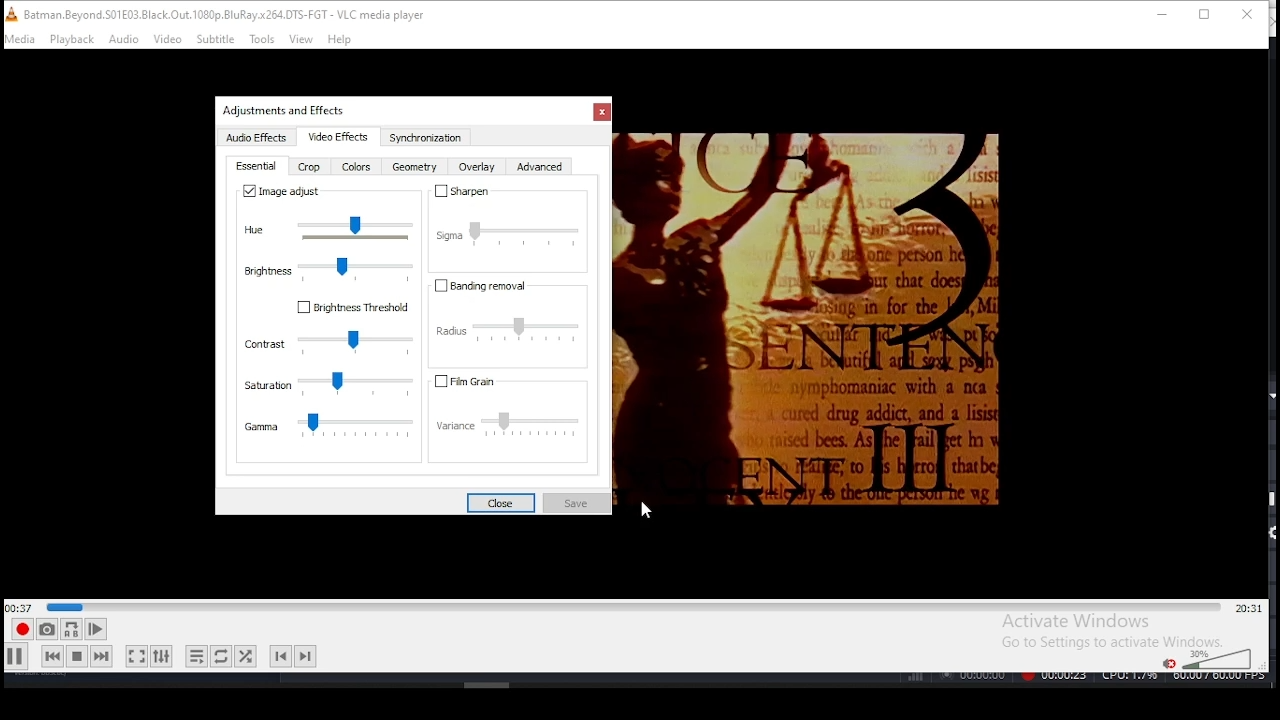 The width and height of the screenshot is (1280, 720). Describe the element at coordinates (328, 267) in the screenshot. I see `brightness` at that location.